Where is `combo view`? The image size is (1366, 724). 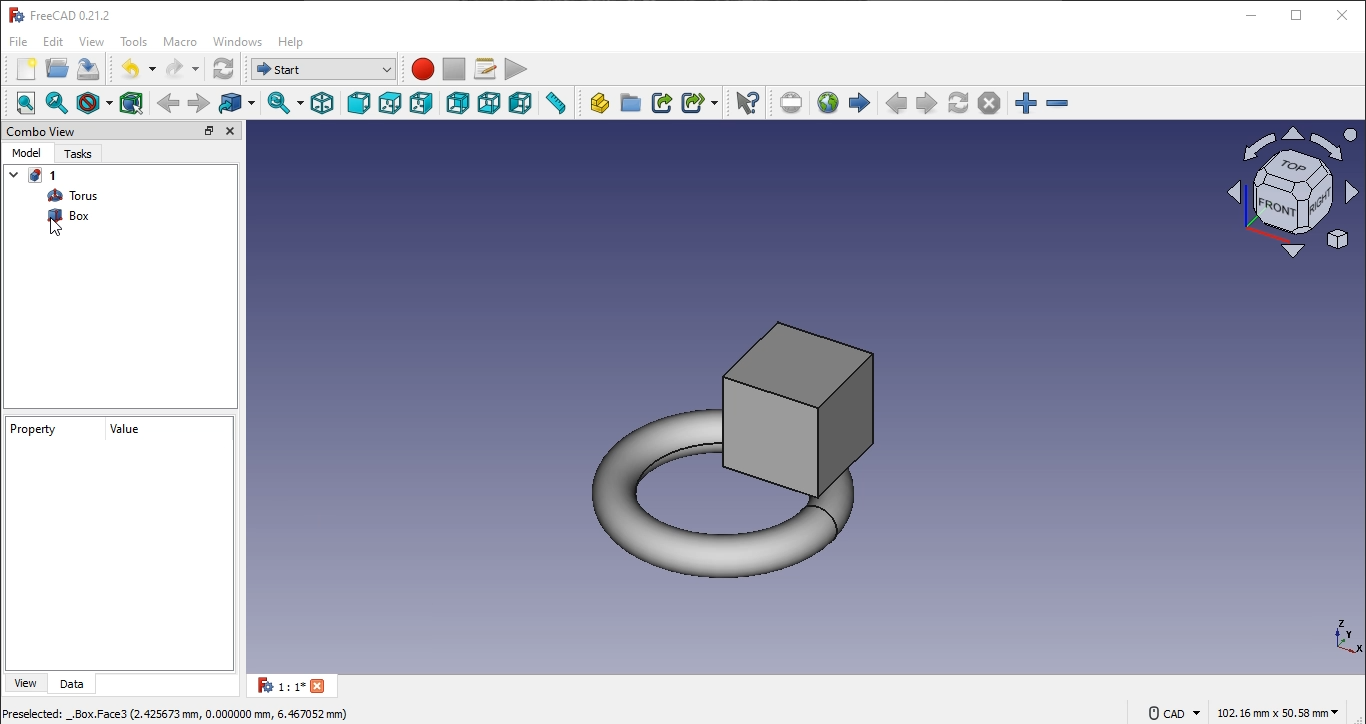 combo view is located at coordinates (42, 131).